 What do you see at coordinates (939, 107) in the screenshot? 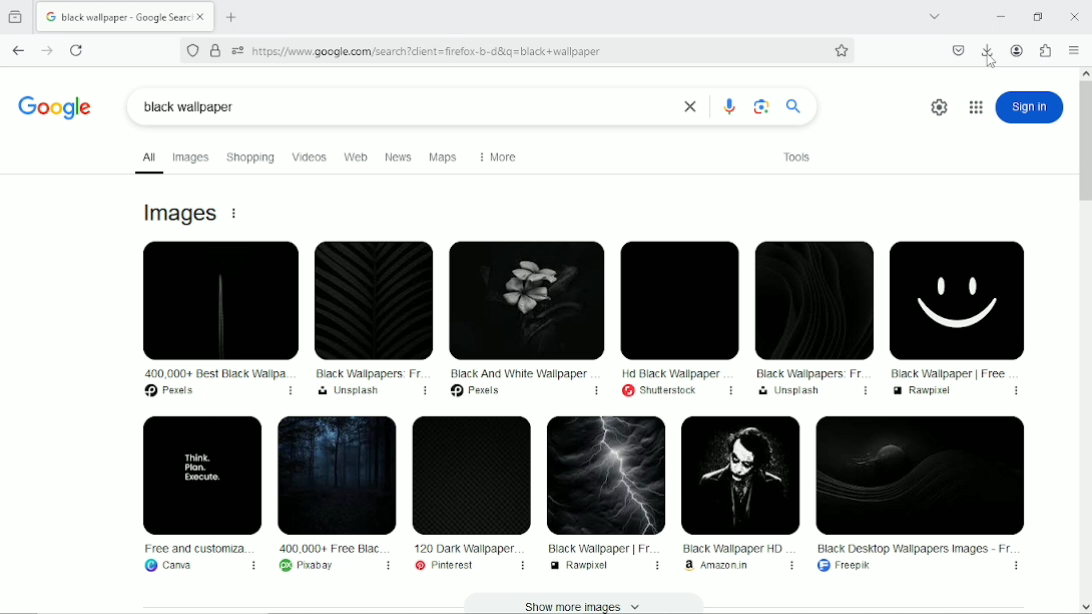
I see `quick settings` at bounding box center [939, 107].